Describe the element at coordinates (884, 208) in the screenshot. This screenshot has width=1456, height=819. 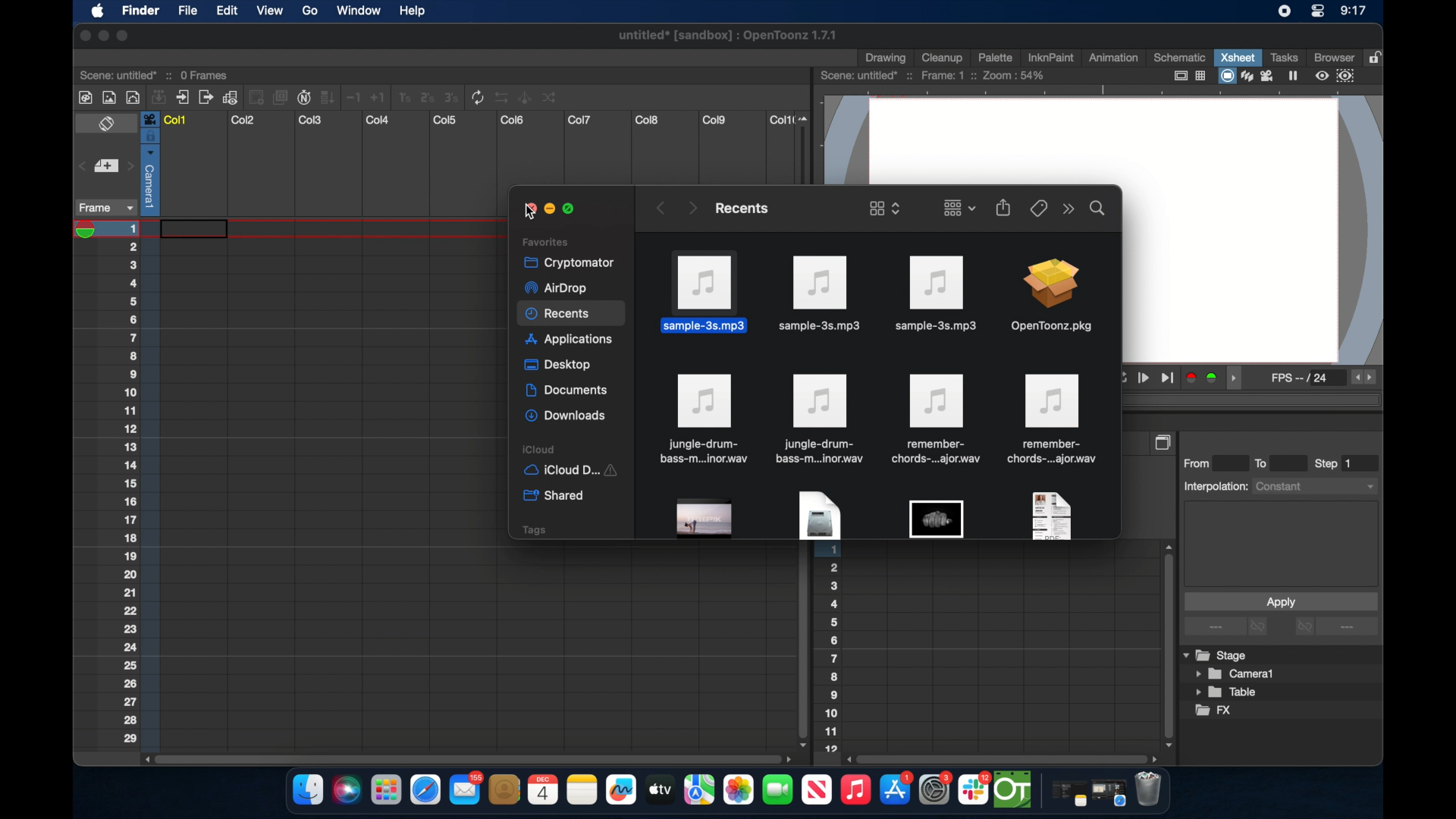
I see `listview options` at that location.